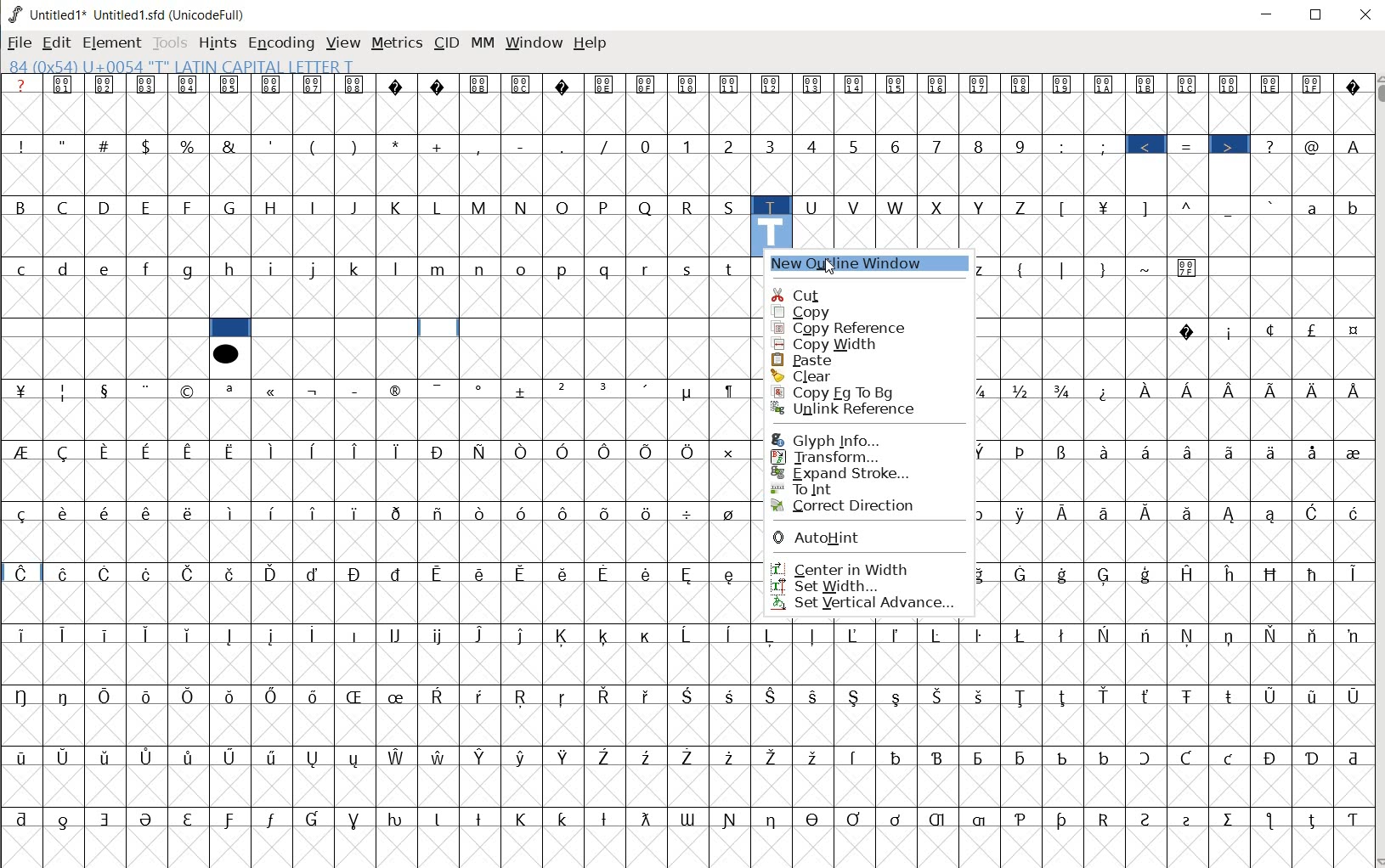 The width and height of the screenshot is (1385, 868). What do you see at coordinates (481, 208) in the screenshot?
I see `M` at bounding box center [481, 208].